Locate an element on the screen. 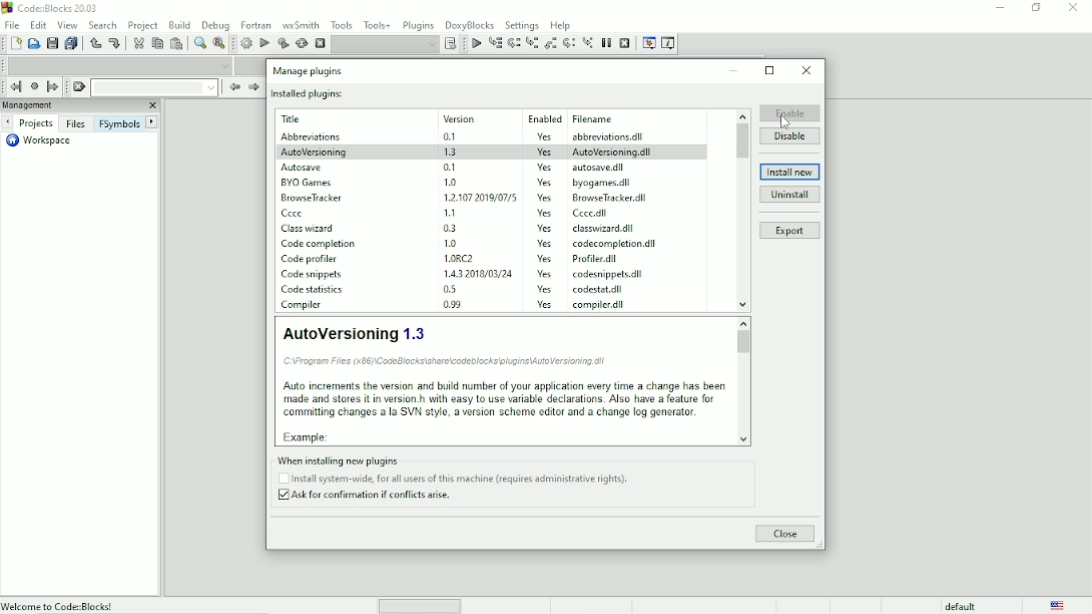 The width and height of the screenshot is (1092, 614). Drop down is located at coordinates (385, 45).